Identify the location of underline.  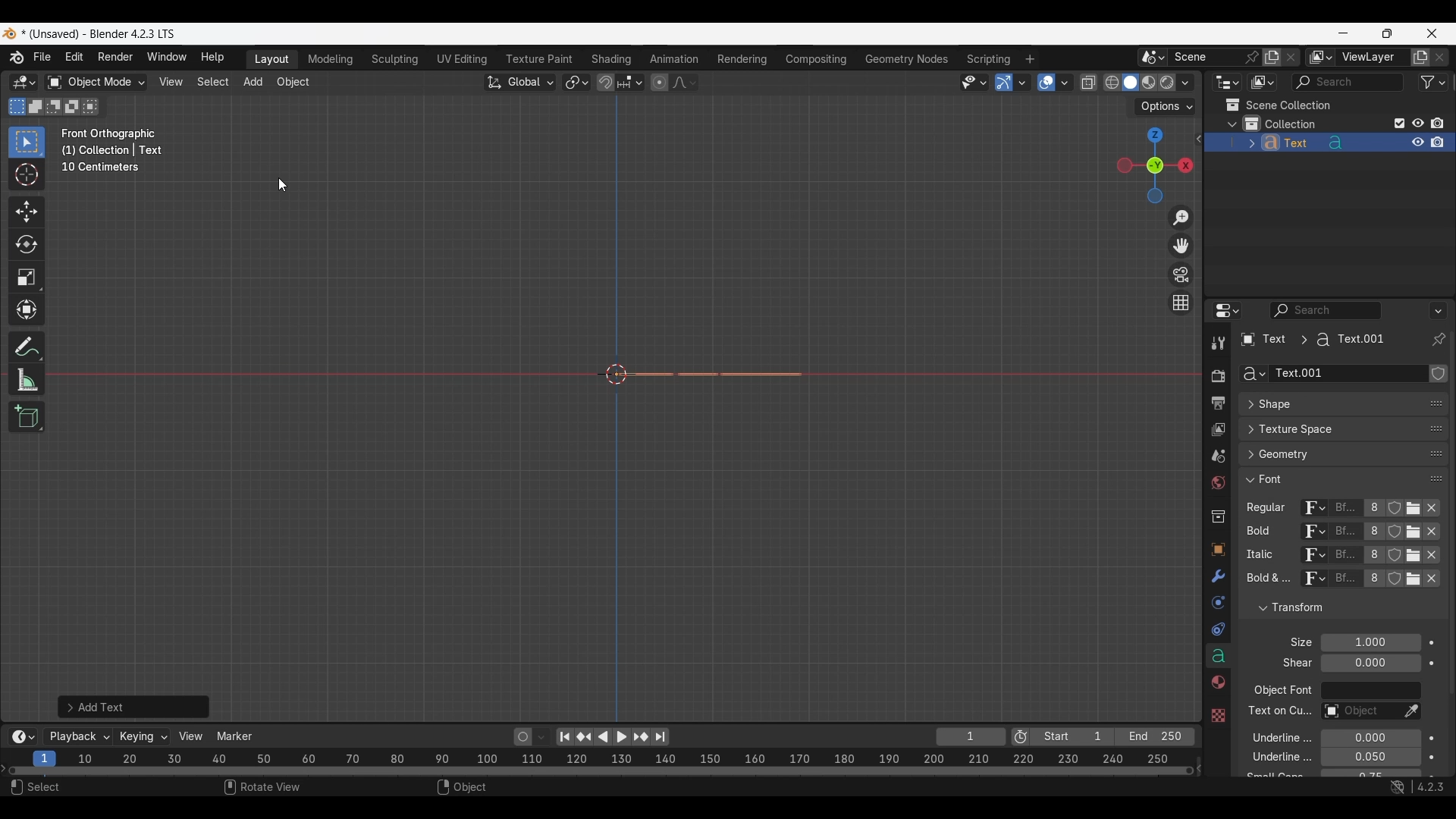
(1269, 759).